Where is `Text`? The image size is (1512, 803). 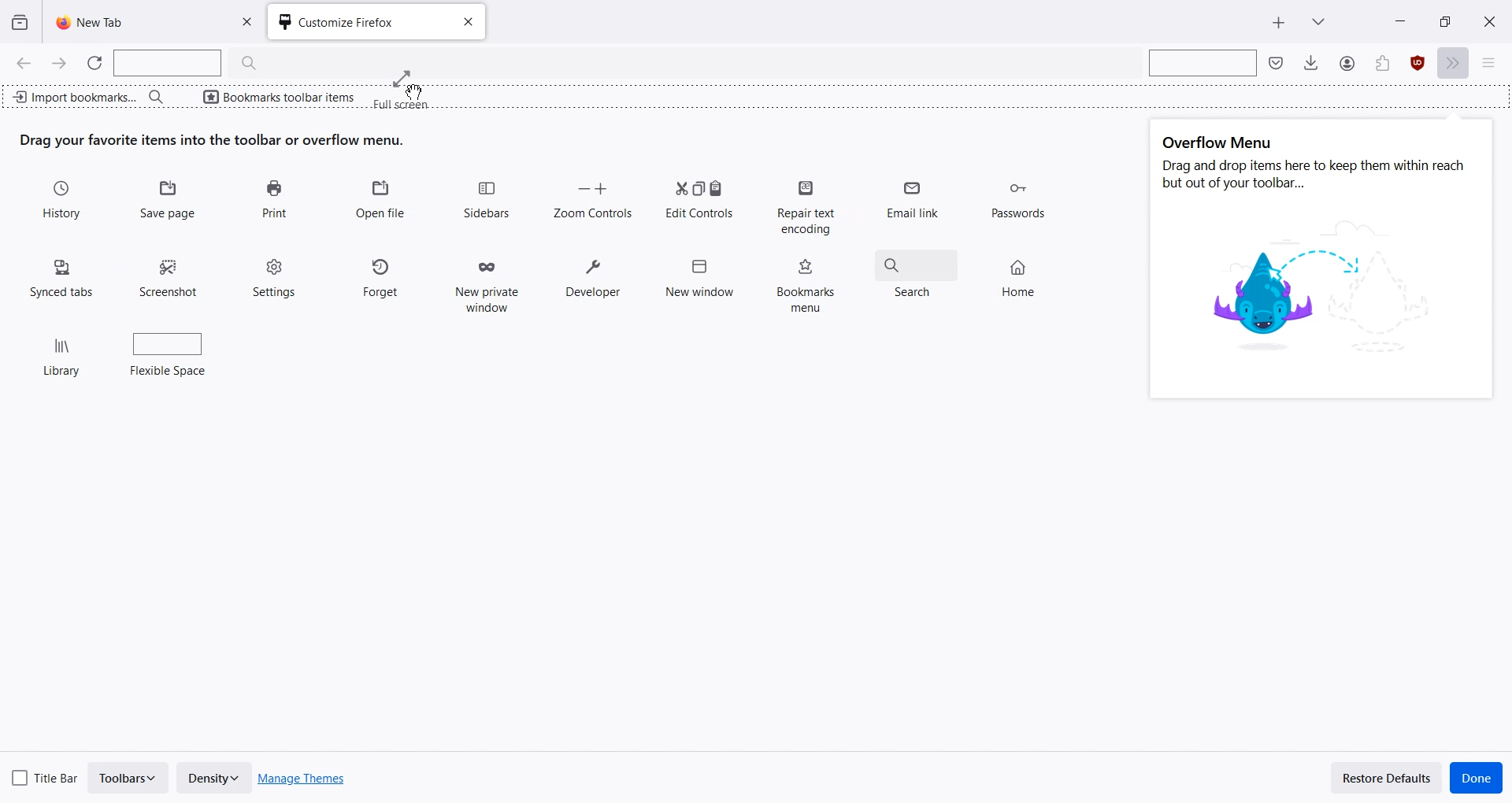 Text is located at coordinates (213, 140).